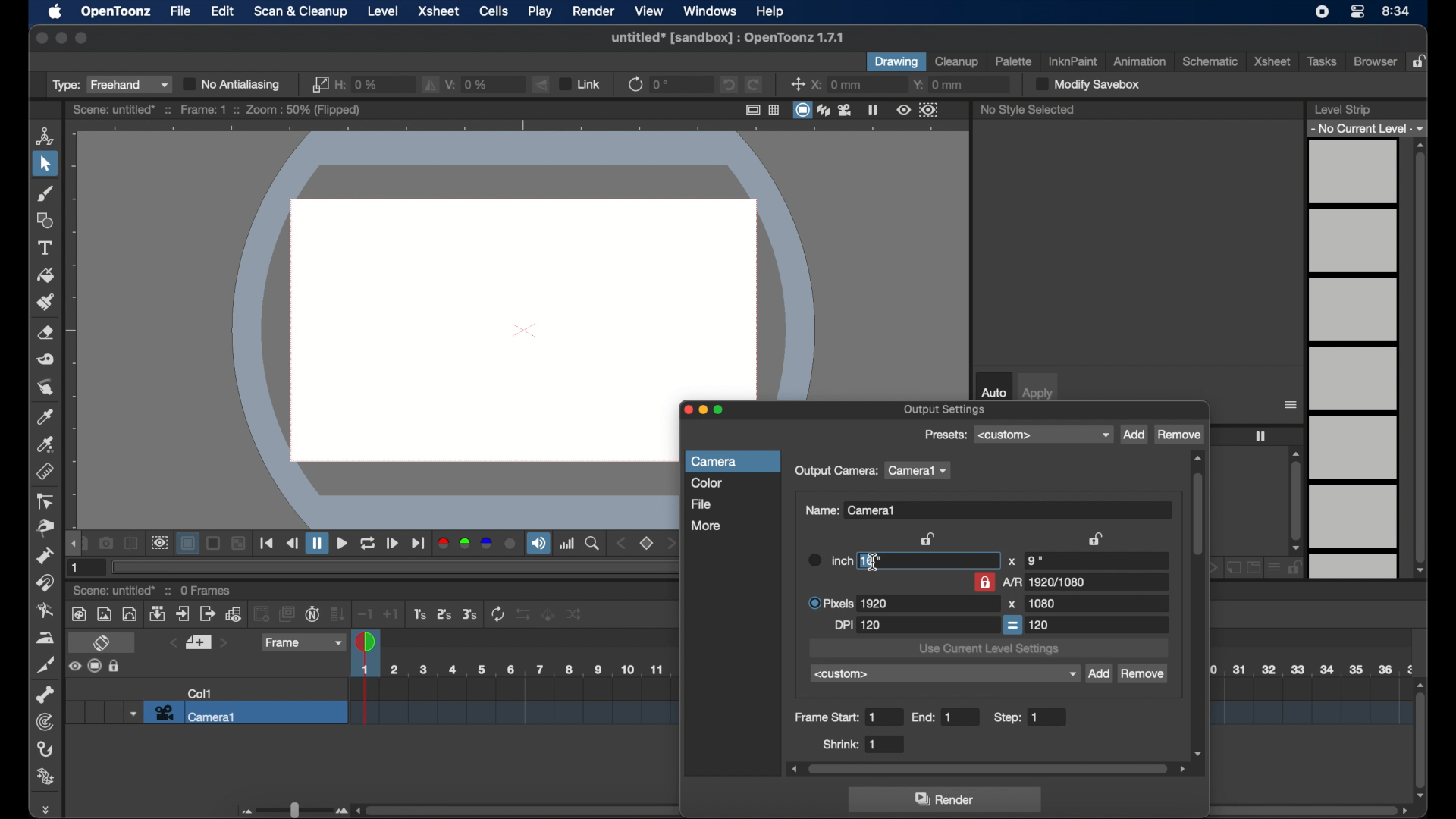 This screenshot has width=1456, height=819. I want to click on canvas, so click(519, 263).